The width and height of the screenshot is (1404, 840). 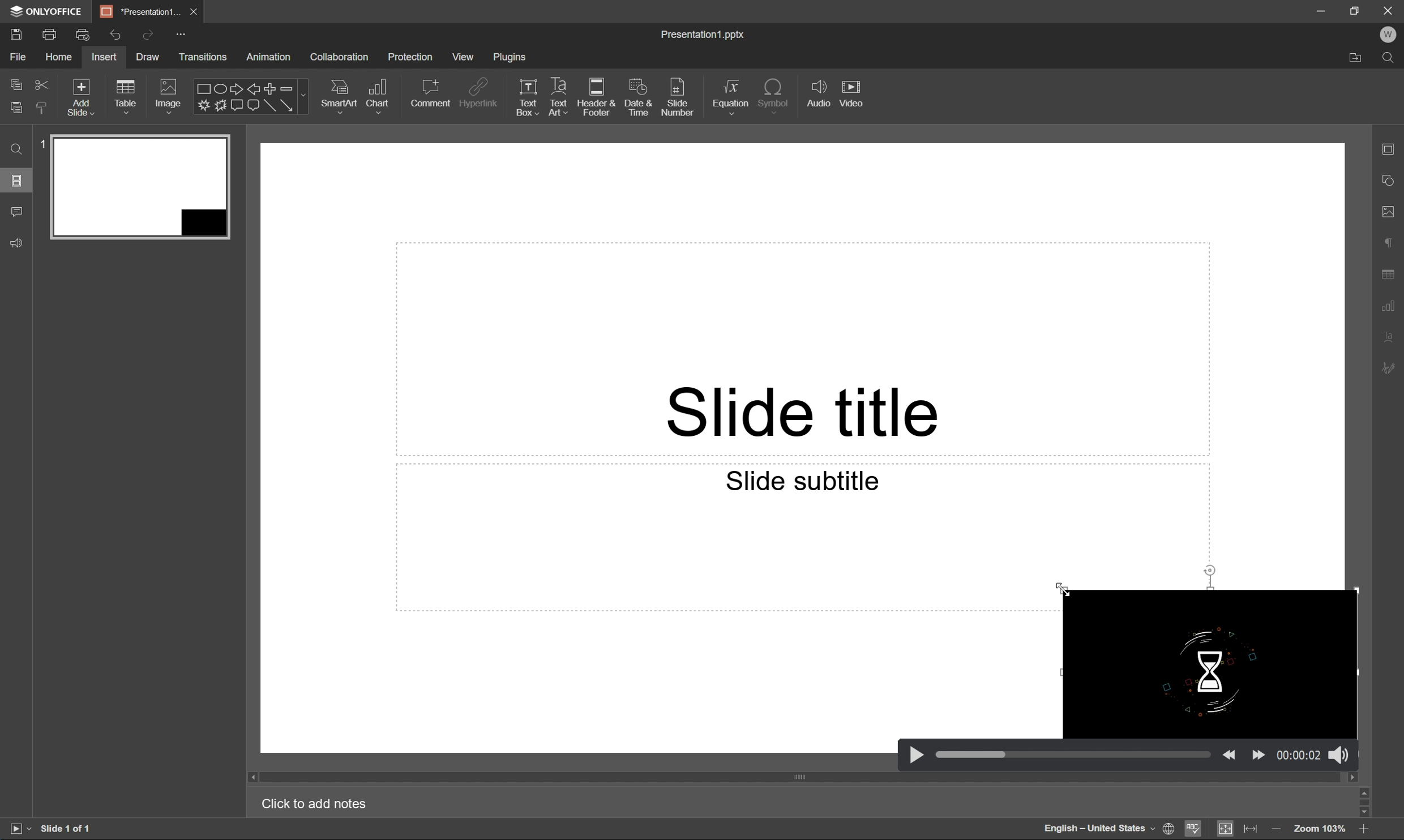 I want to click on English - United States, so click(x=1096, y=829).